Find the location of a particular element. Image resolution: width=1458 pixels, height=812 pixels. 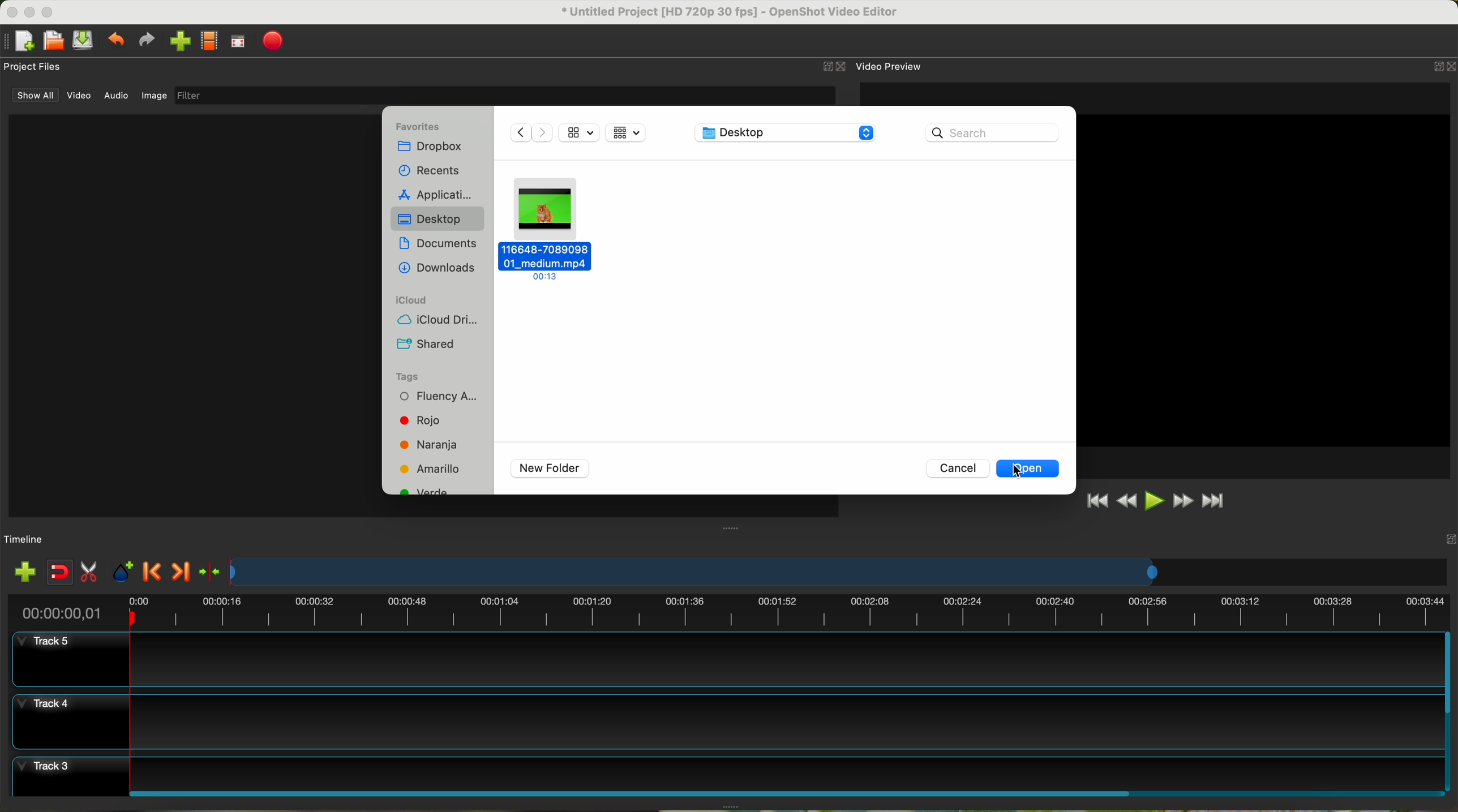

new folder button is located at coordinates (550, 469).